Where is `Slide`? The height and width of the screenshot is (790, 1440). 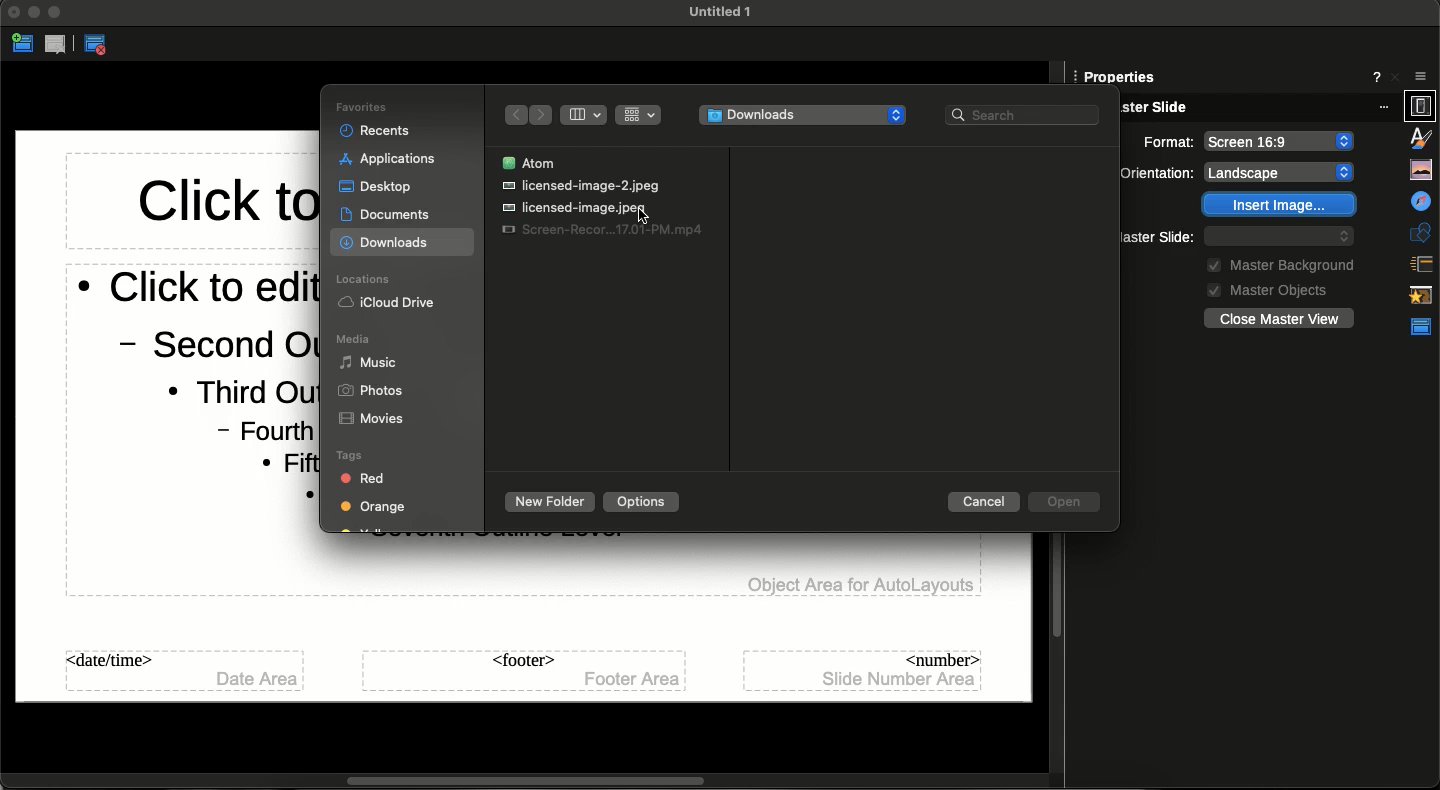
Slide is located at coordinates (1120, 76).